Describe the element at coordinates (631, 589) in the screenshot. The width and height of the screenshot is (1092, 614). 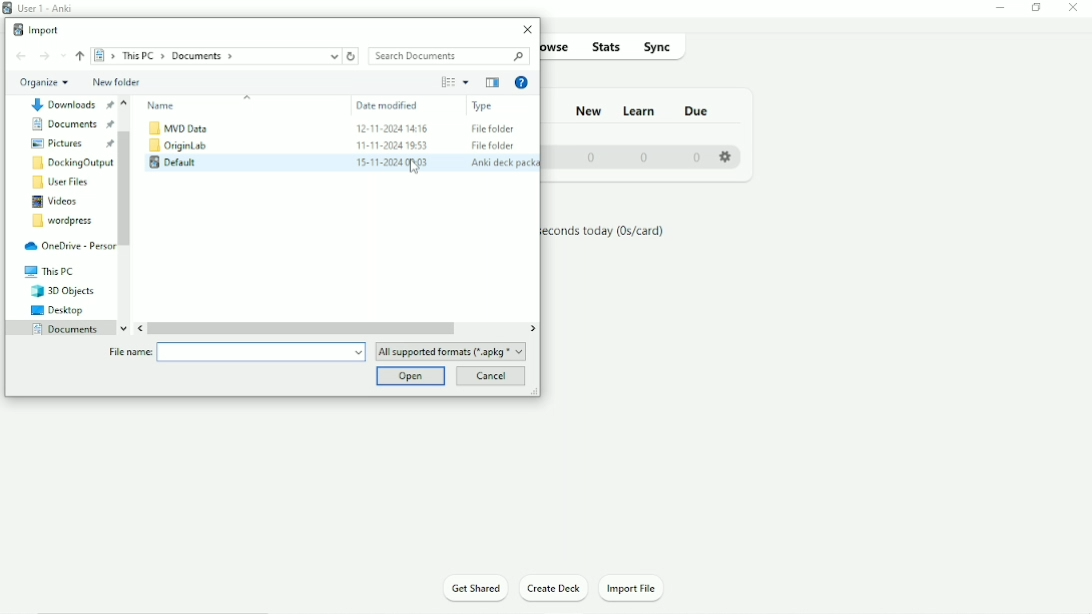
I see `Import File` at that location.